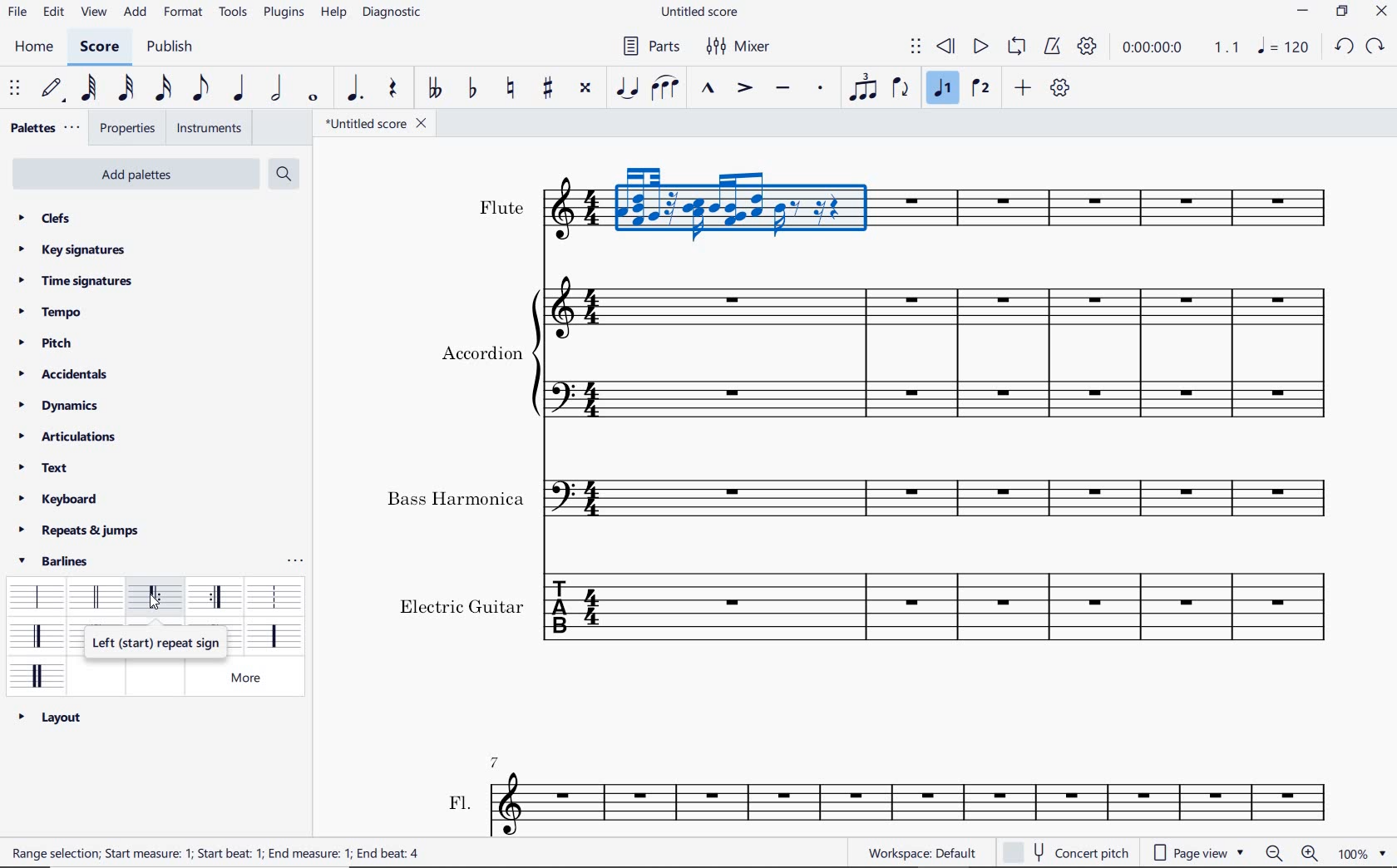 This screenshot has width=1397, height=868. Describe the element at coordinates (61, 499) in the screenshot. I see `keyboard` at that location.